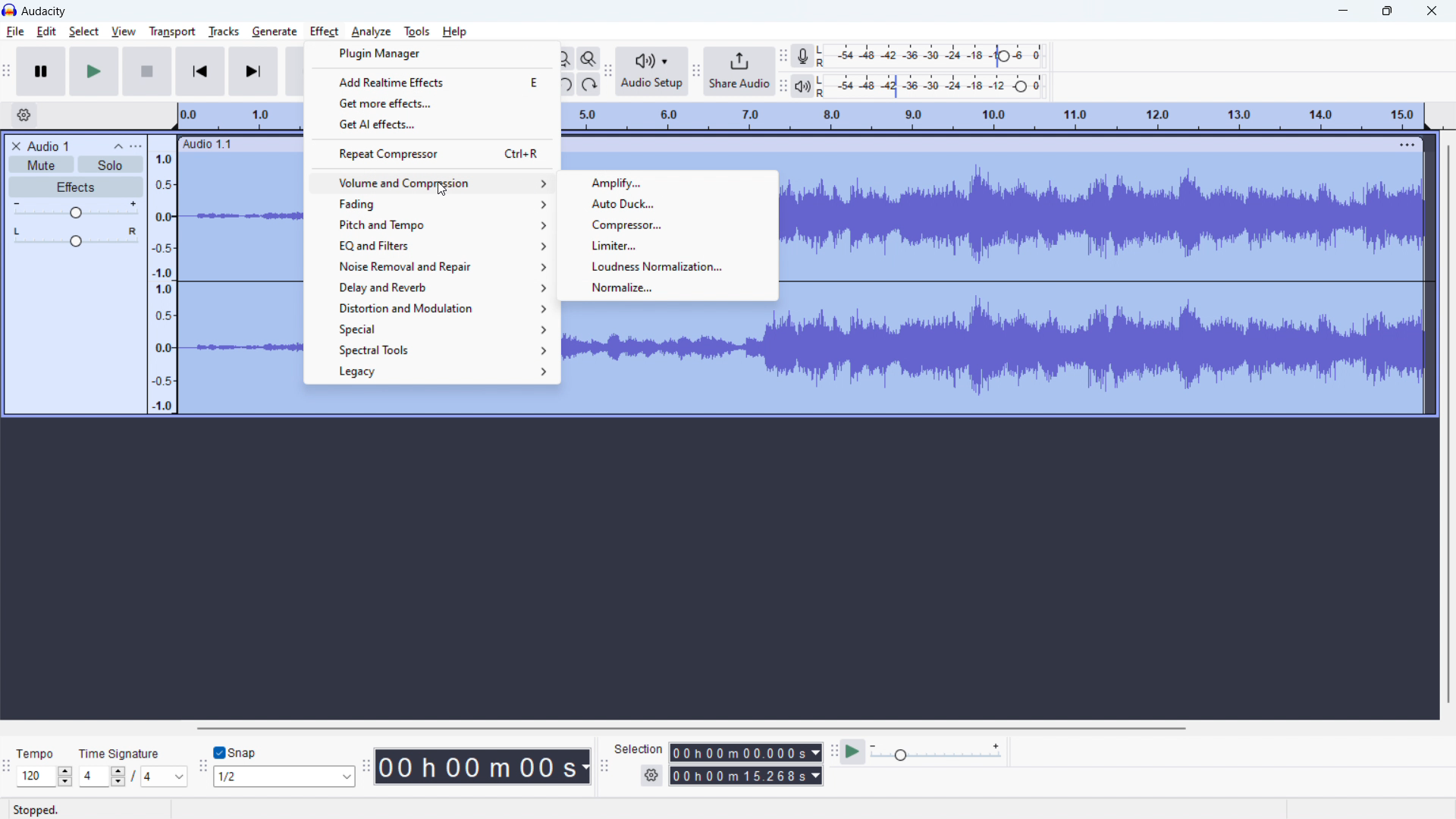 Image resolution: width=1456 pixels, height=819 pixels. I want to click on view menu, so click(135, 146).